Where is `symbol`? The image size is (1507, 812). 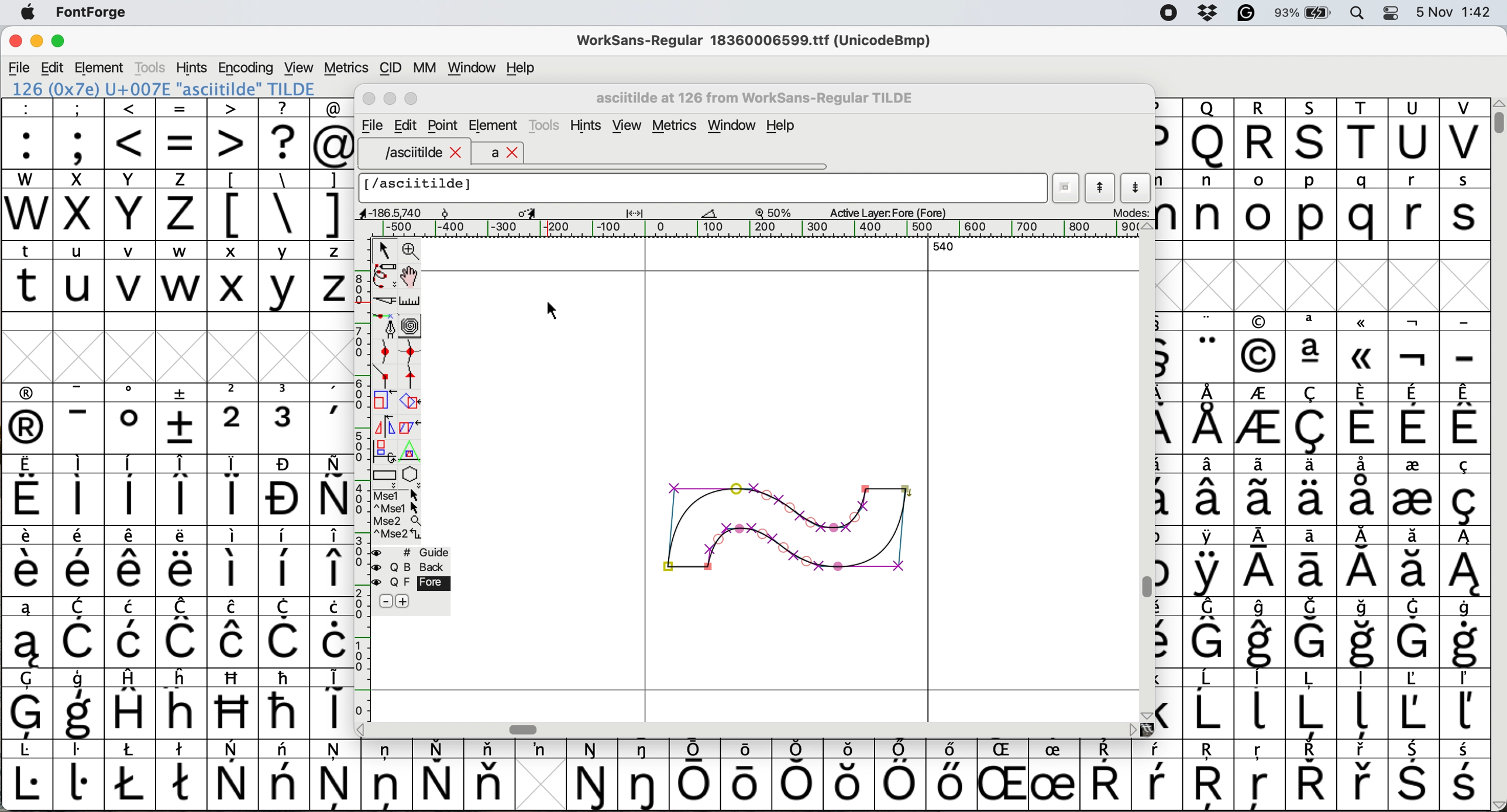
symbol is located at coordinates (332, 701).